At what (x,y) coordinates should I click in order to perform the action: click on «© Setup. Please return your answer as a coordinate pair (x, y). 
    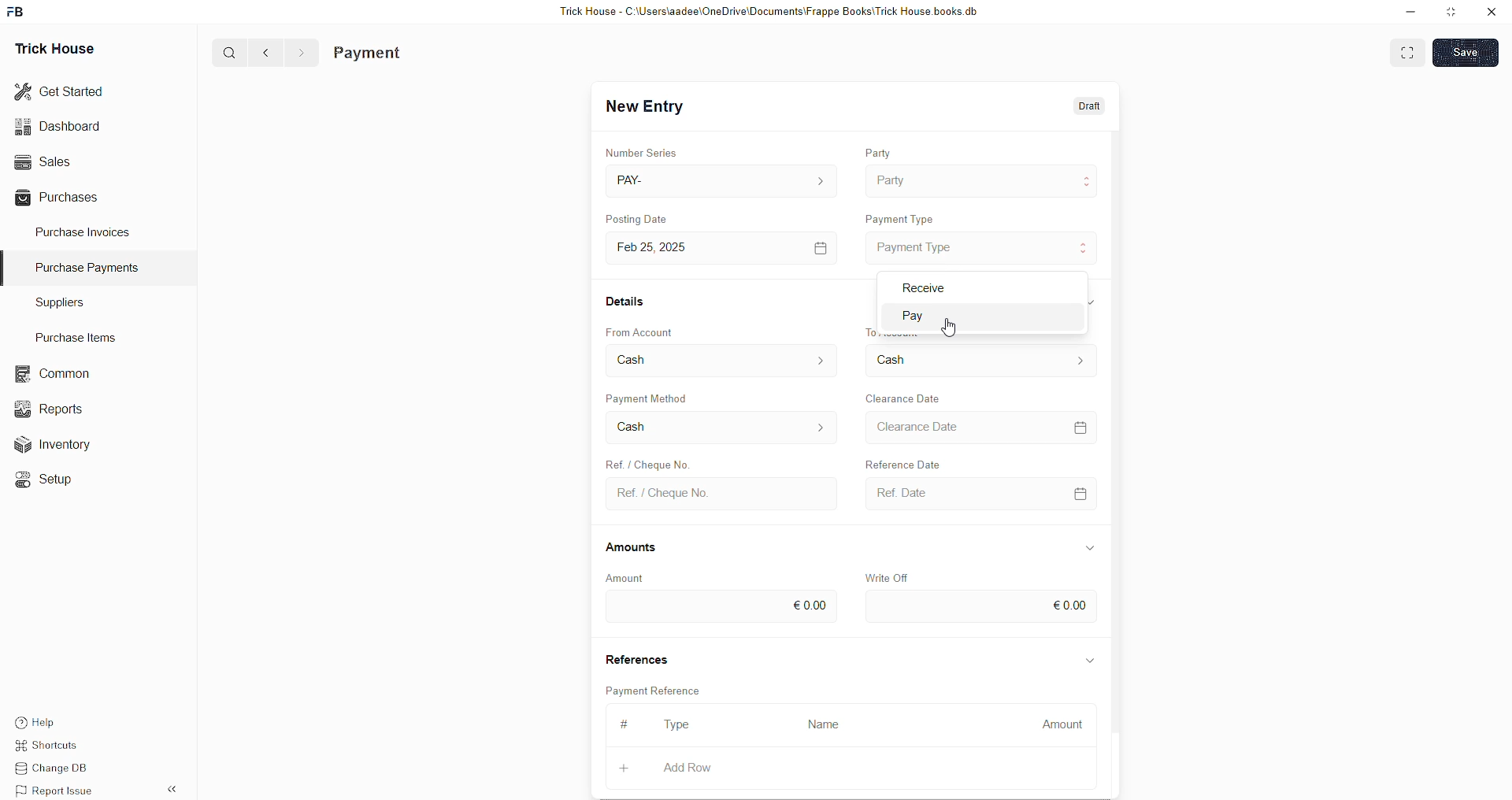
    Looking at the image, I should click on (49, 480).